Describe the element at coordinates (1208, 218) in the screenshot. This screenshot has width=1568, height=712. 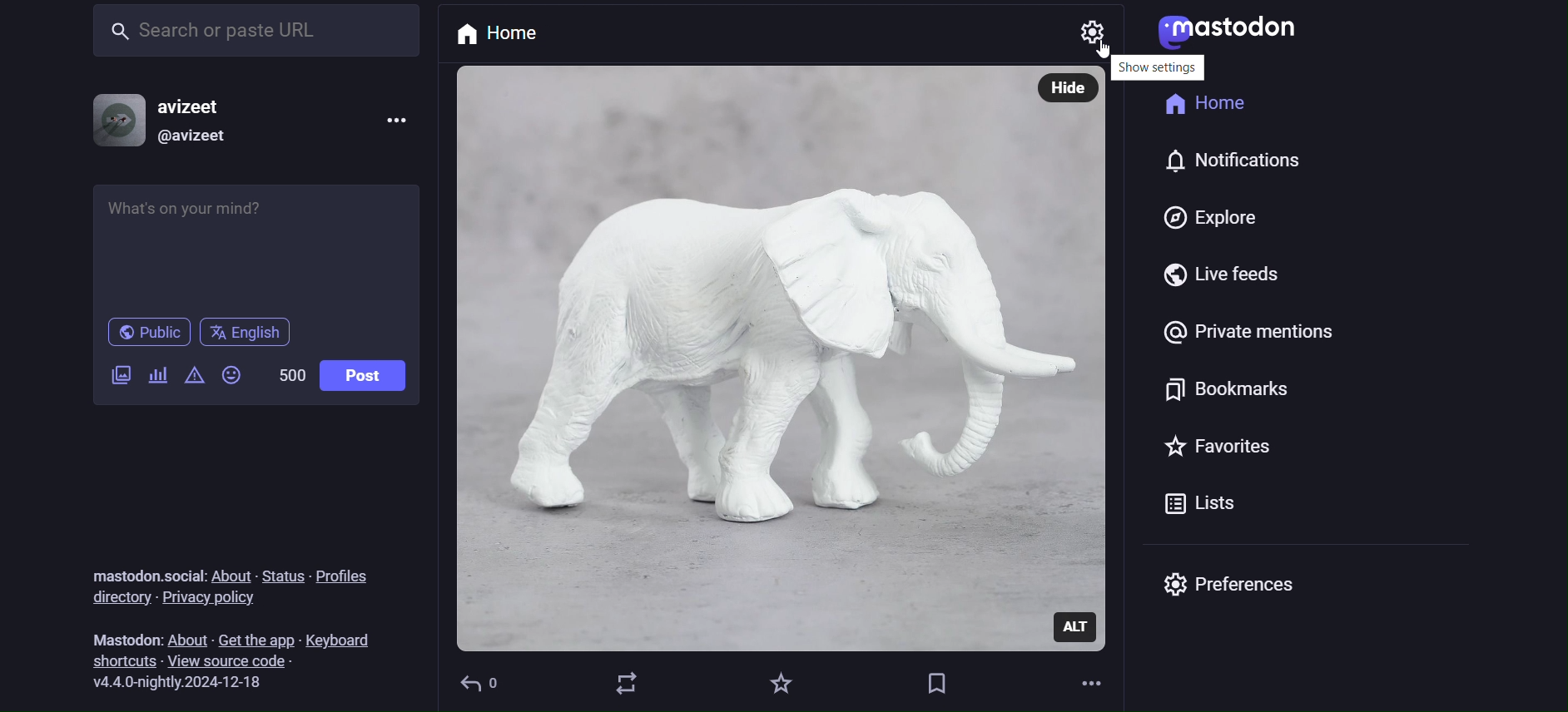
I see `Explore` at that location.